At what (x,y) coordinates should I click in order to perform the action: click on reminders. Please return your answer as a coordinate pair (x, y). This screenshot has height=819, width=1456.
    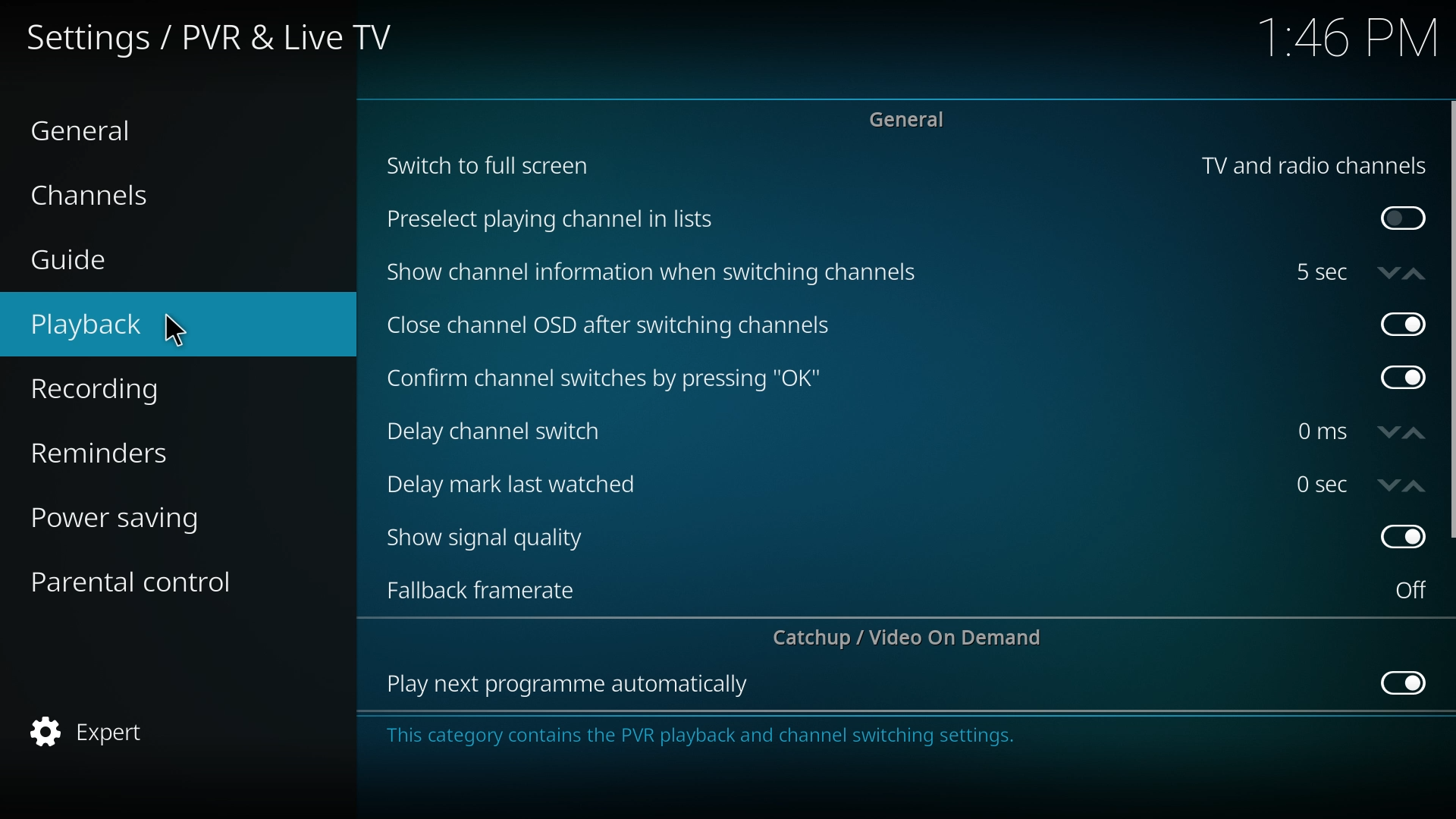
    Looking at the image, I should click on (136, 450).